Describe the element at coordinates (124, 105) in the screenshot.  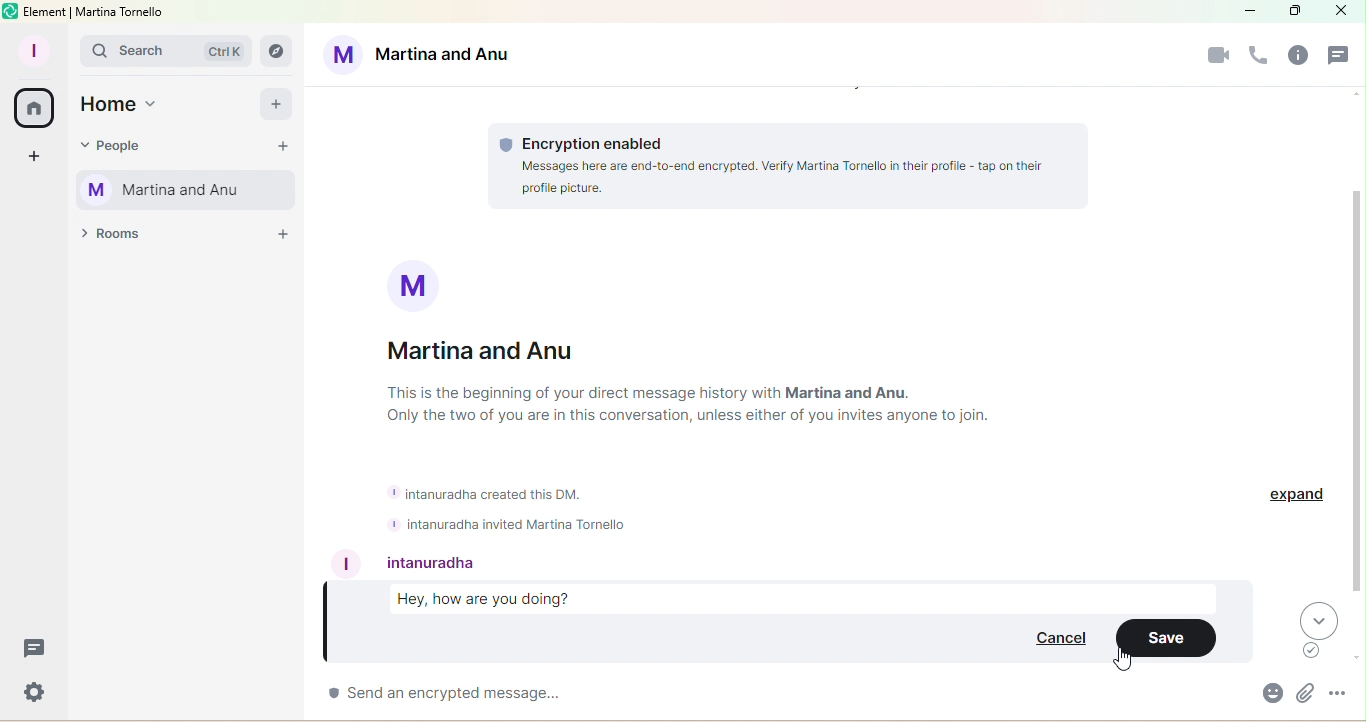
I see `Home` at that location.